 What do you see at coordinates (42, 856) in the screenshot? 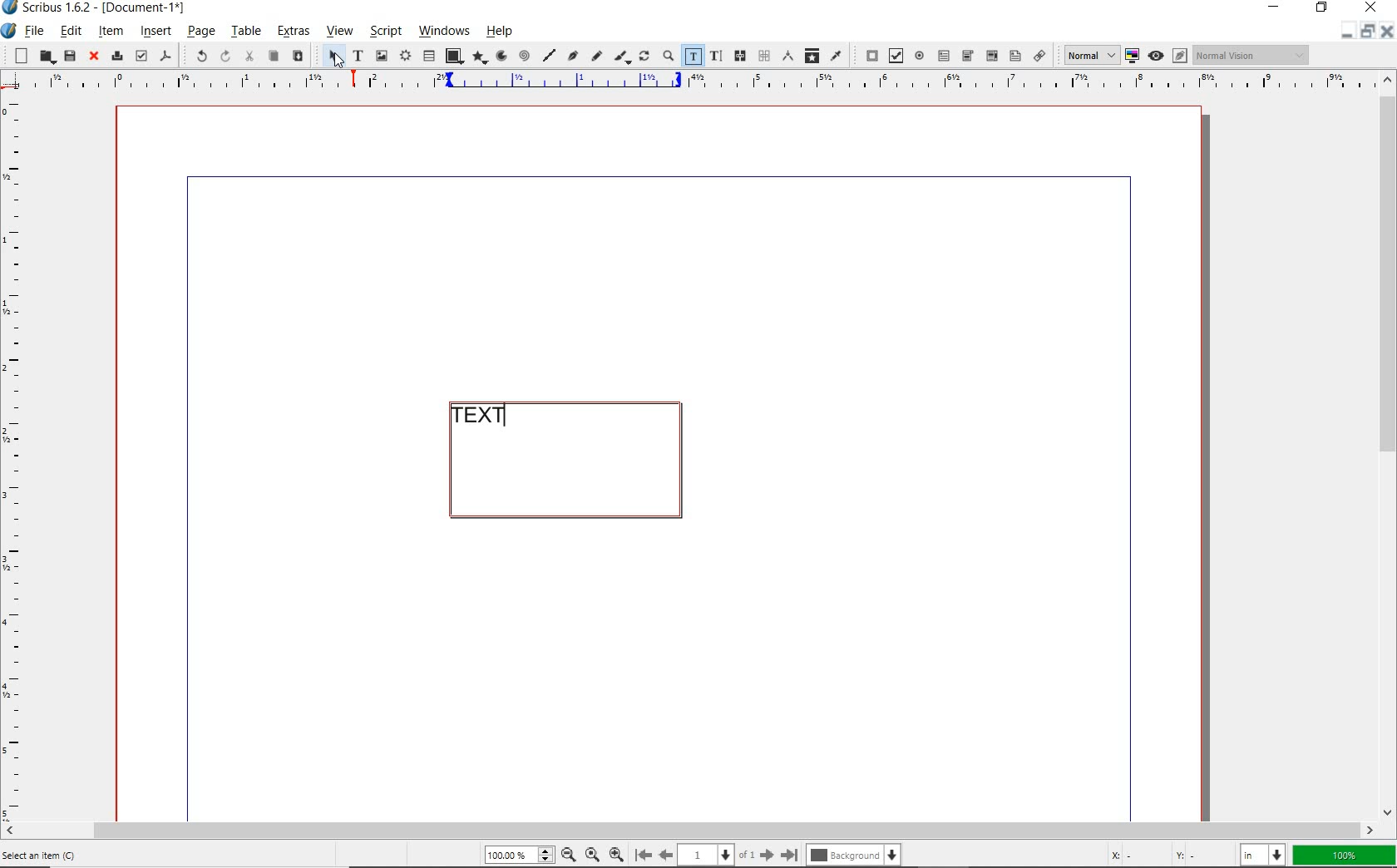
I see `Select an Item (C)` at bounding box center [42, 856].